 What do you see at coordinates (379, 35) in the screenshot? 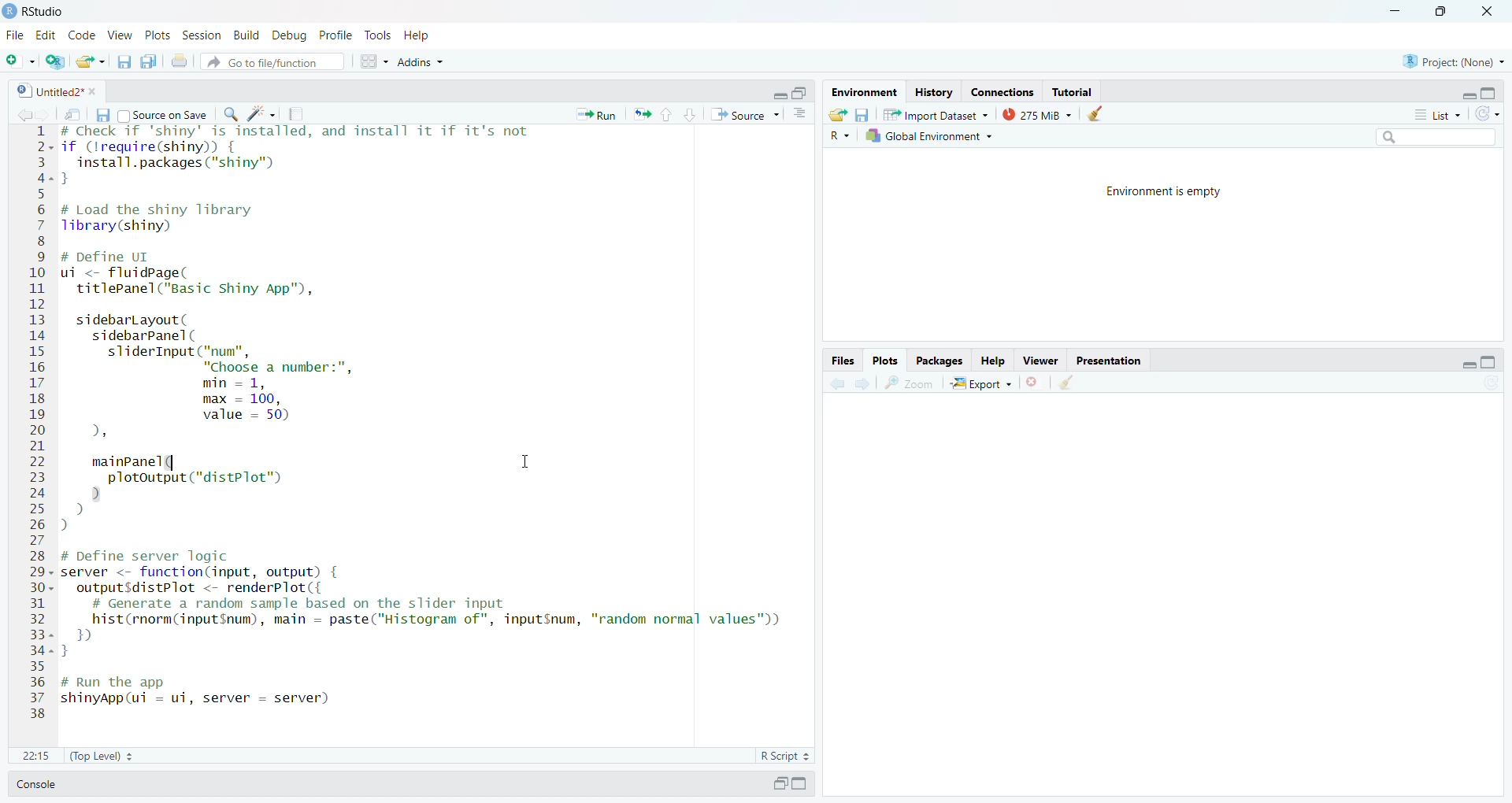
I see `Tools` at bounding box center [379, 35].